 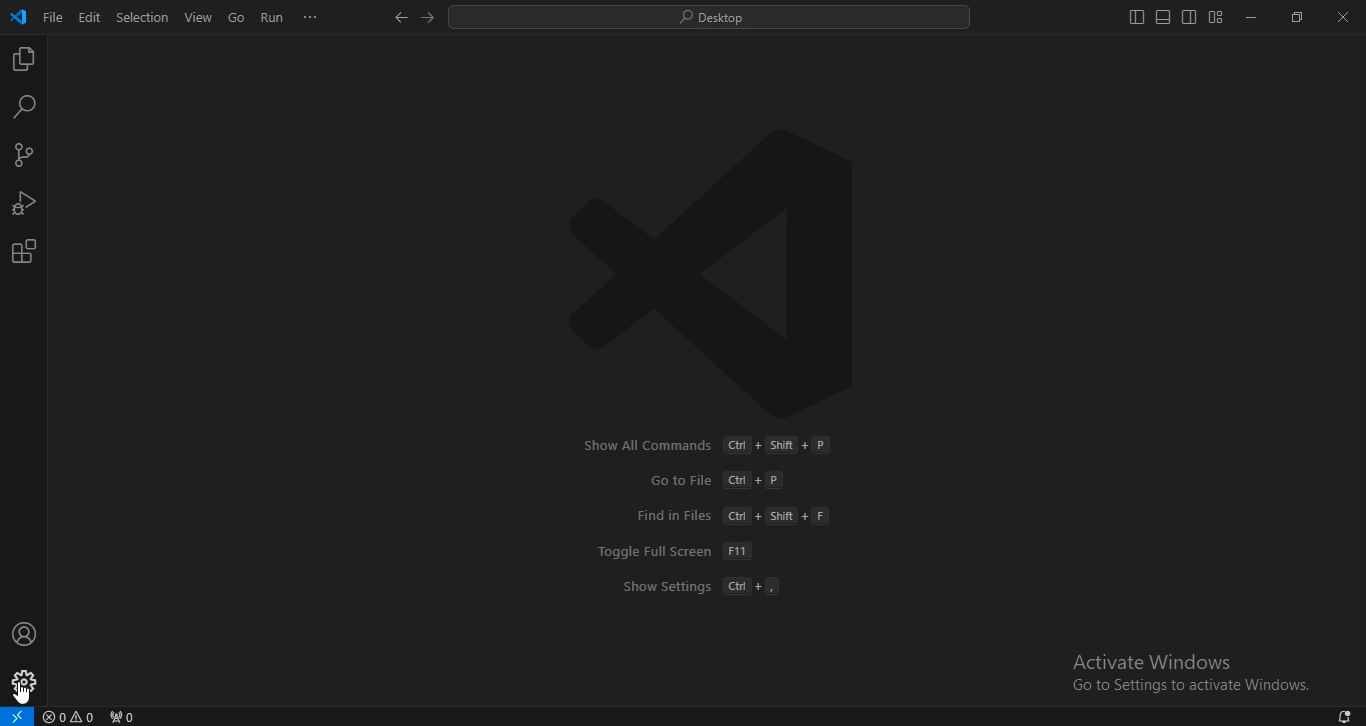 I want to click on file, so click(x=54, y=21).